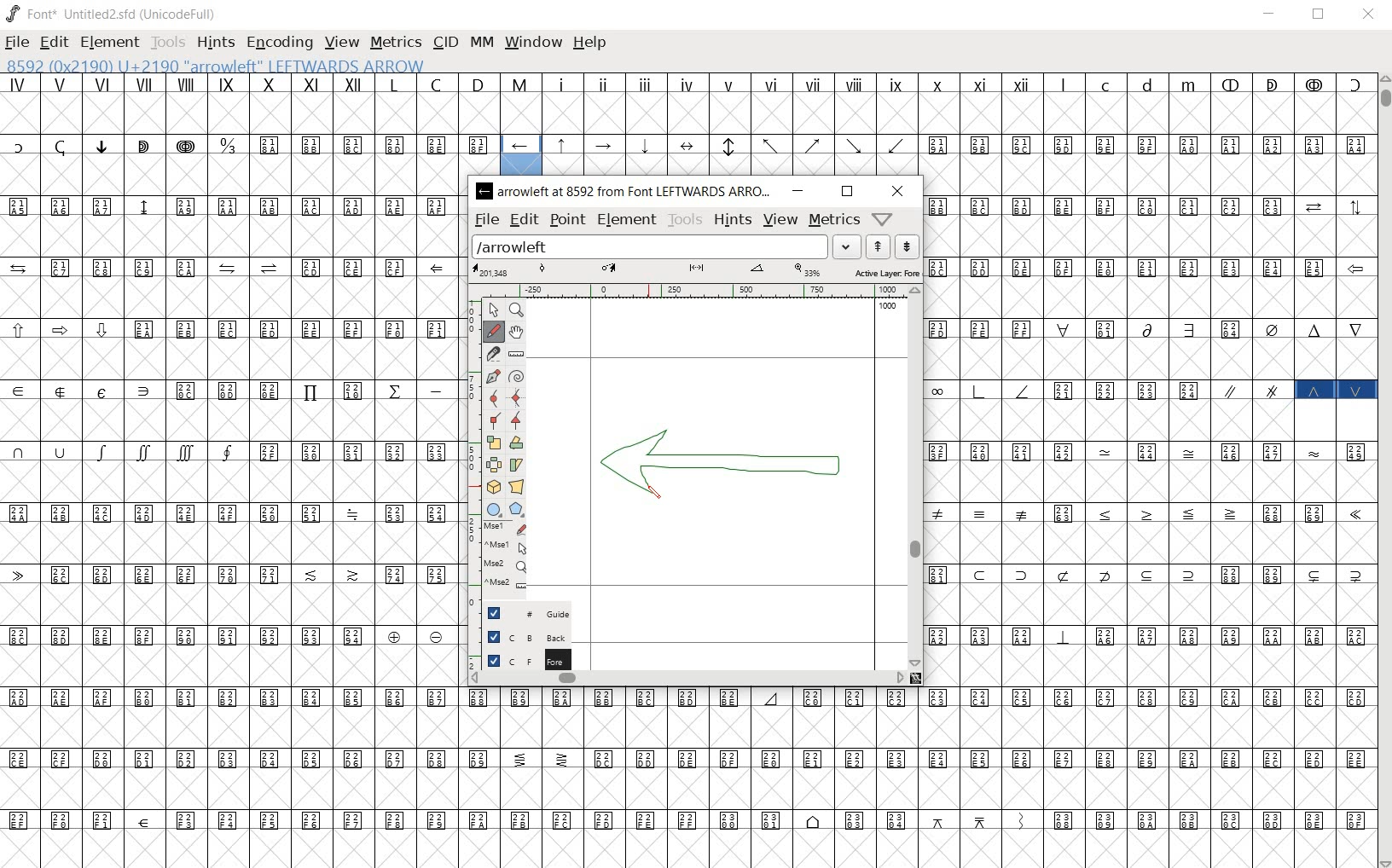 This screenshot has width=1392, height=868. What do you see at coordinates (515, 356) in the screenshot?
I see `measure a distance, angle between points` at bounding box center [515, 356].